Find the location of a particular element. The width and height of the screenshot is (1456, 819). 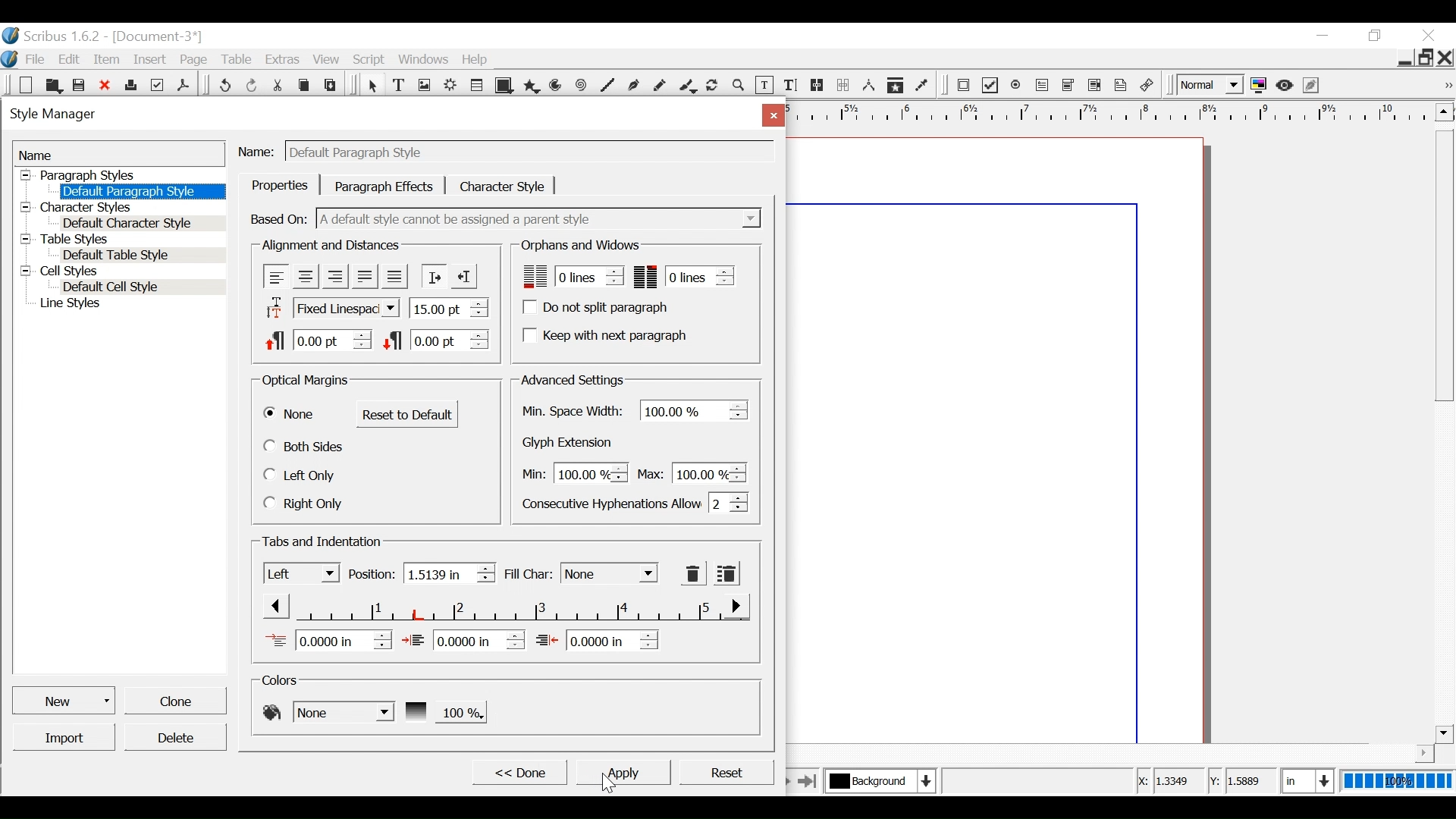

Style Manager is located at coordinates (374, 116).